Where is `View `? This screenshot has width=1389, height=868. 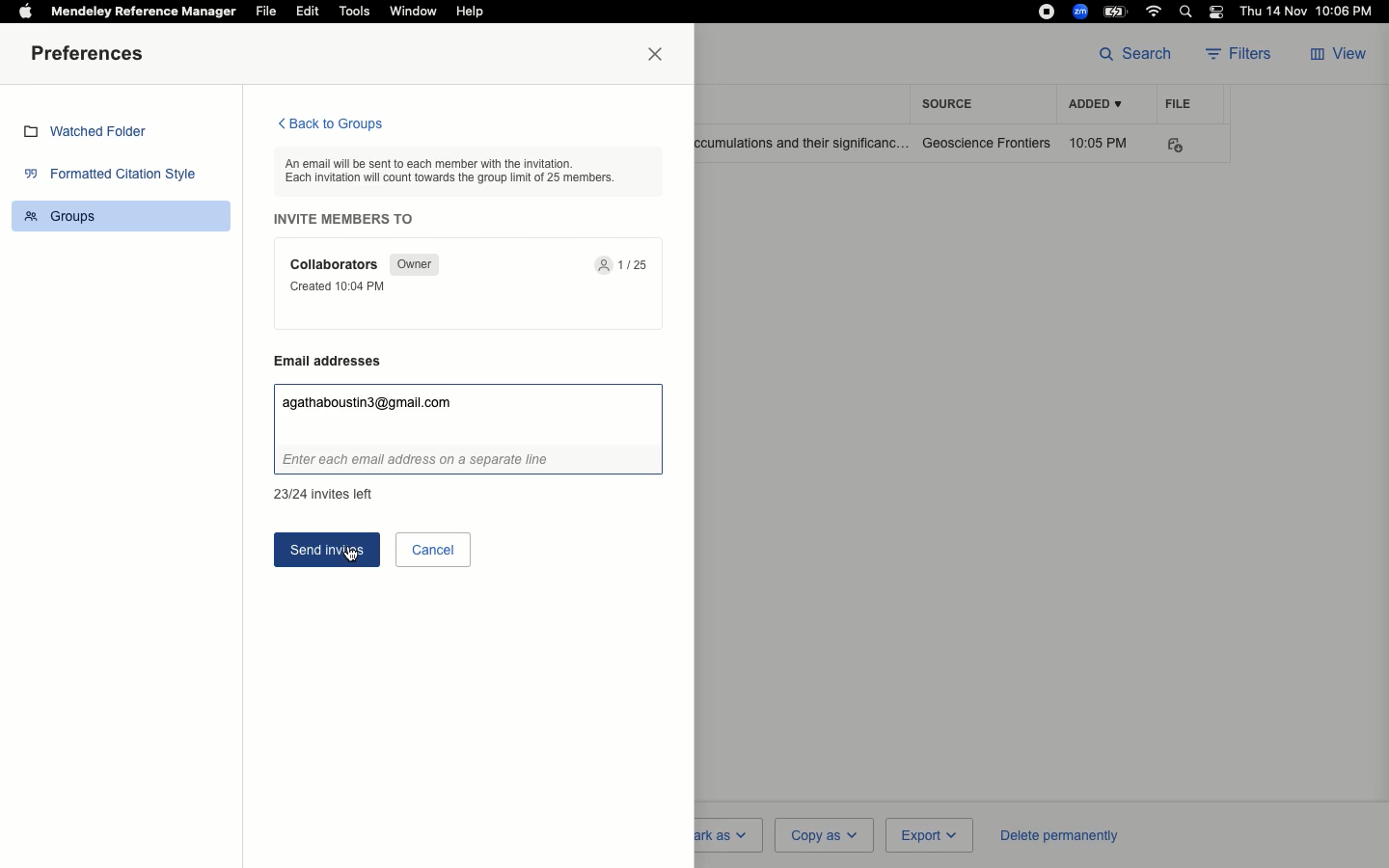 View  is located at coordinates (1341, 55).